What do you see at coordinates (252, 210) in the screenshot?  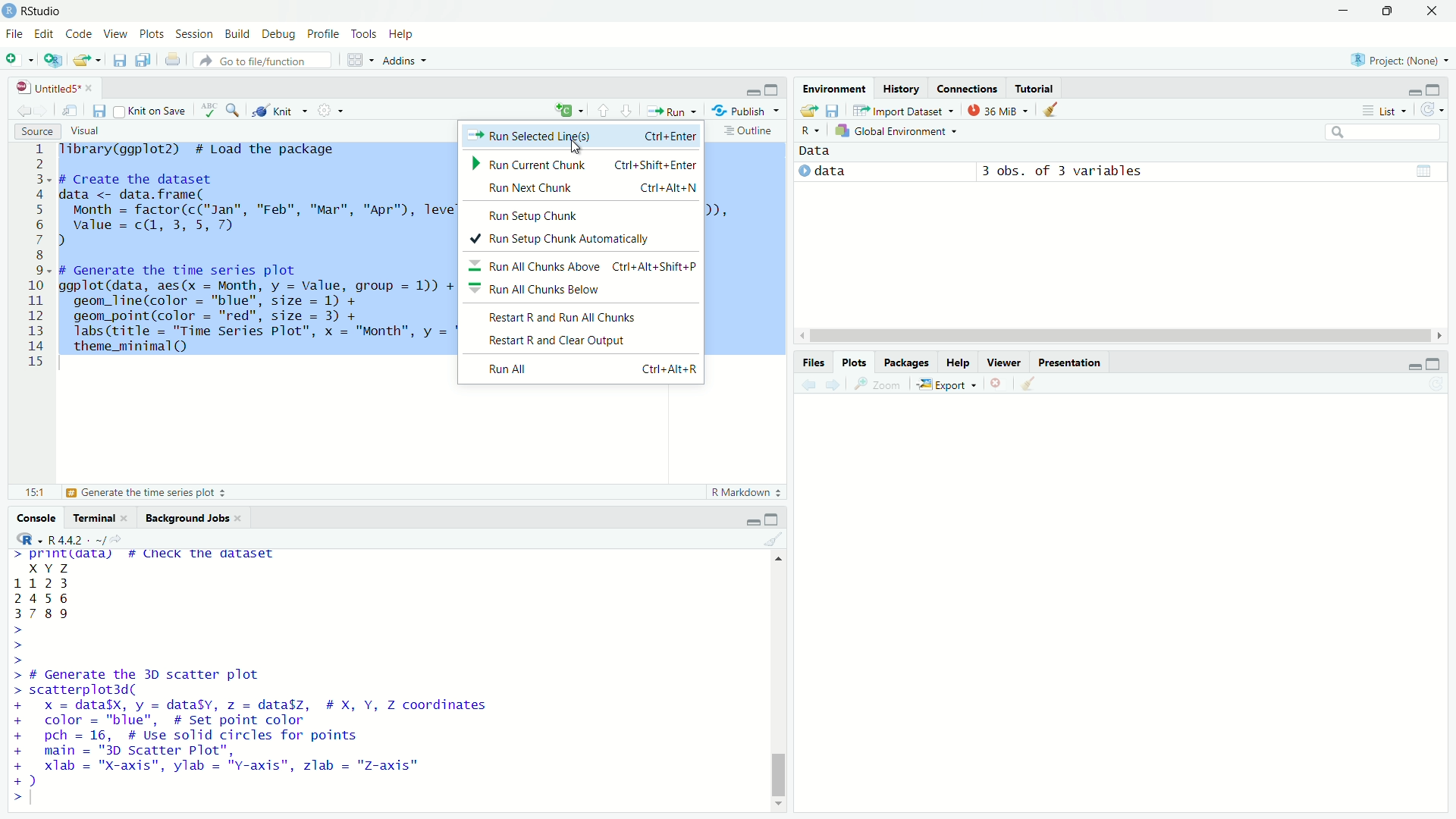 I see `code to create the dataset` at bounding box center [252, 210].